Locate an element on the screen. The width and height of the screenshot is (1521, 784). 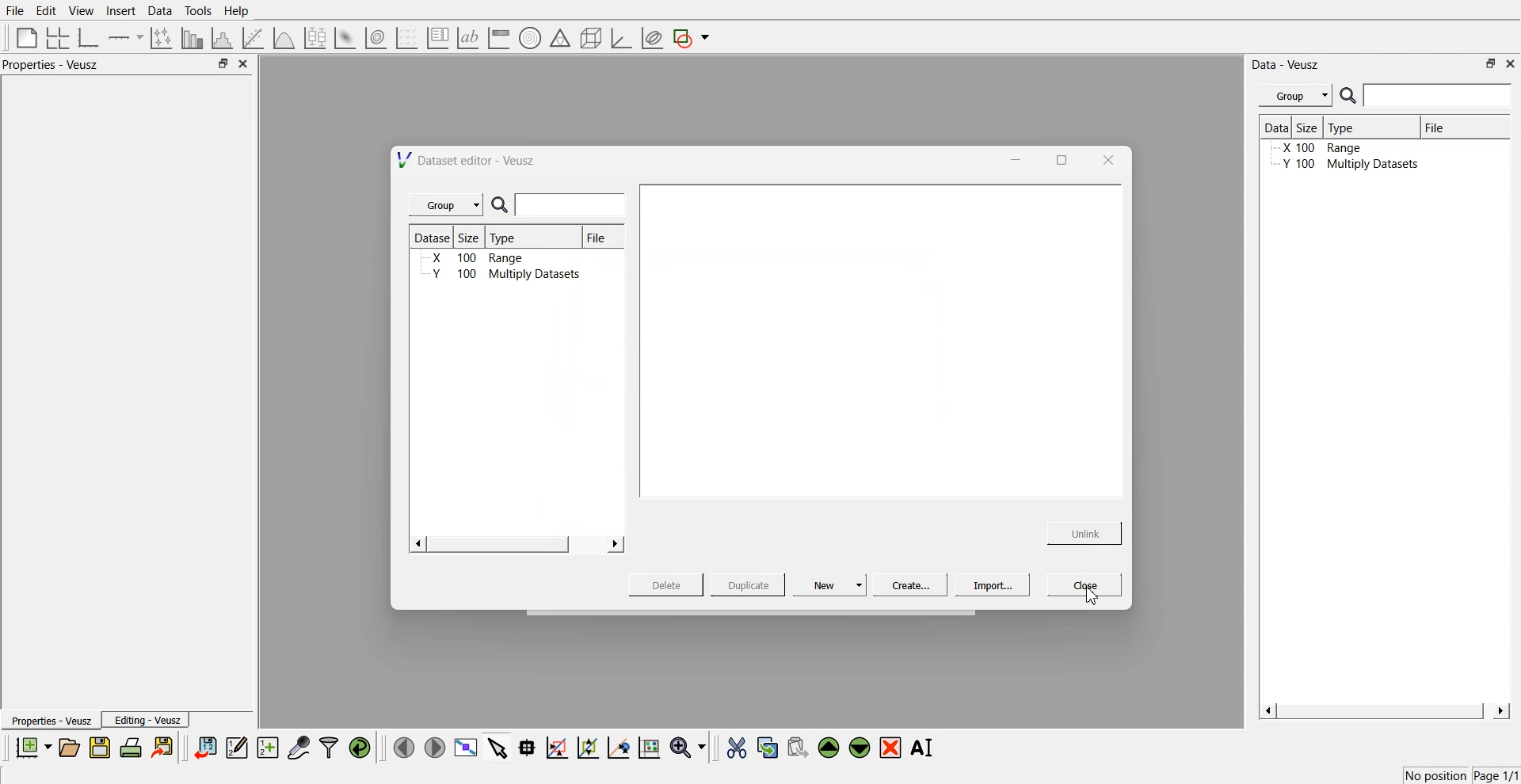
View is located at coordinates (80, 11).